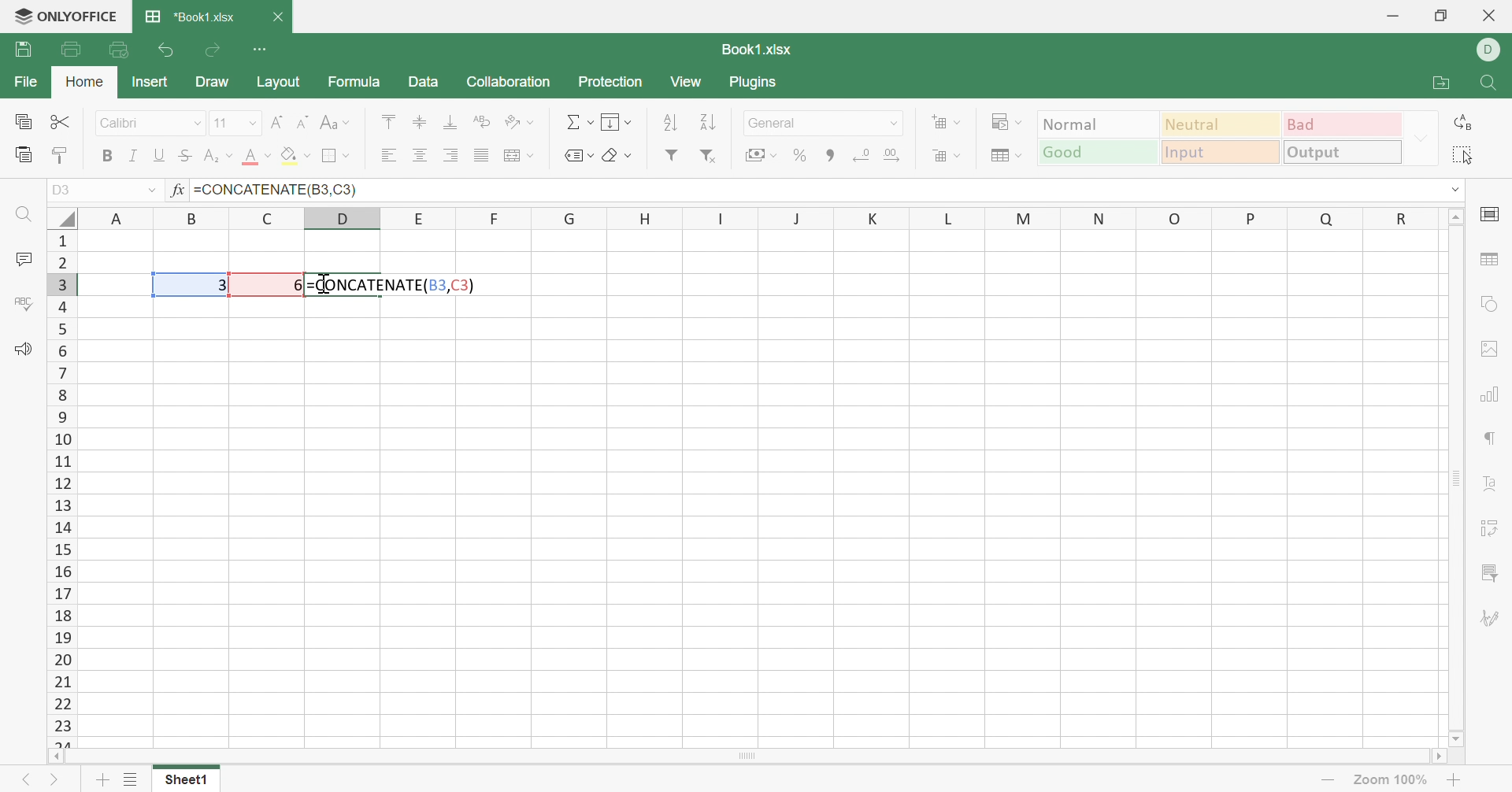 The width and height of the screenshot is (1512, 792). I want to click on Minimize, so click(1396, 13).